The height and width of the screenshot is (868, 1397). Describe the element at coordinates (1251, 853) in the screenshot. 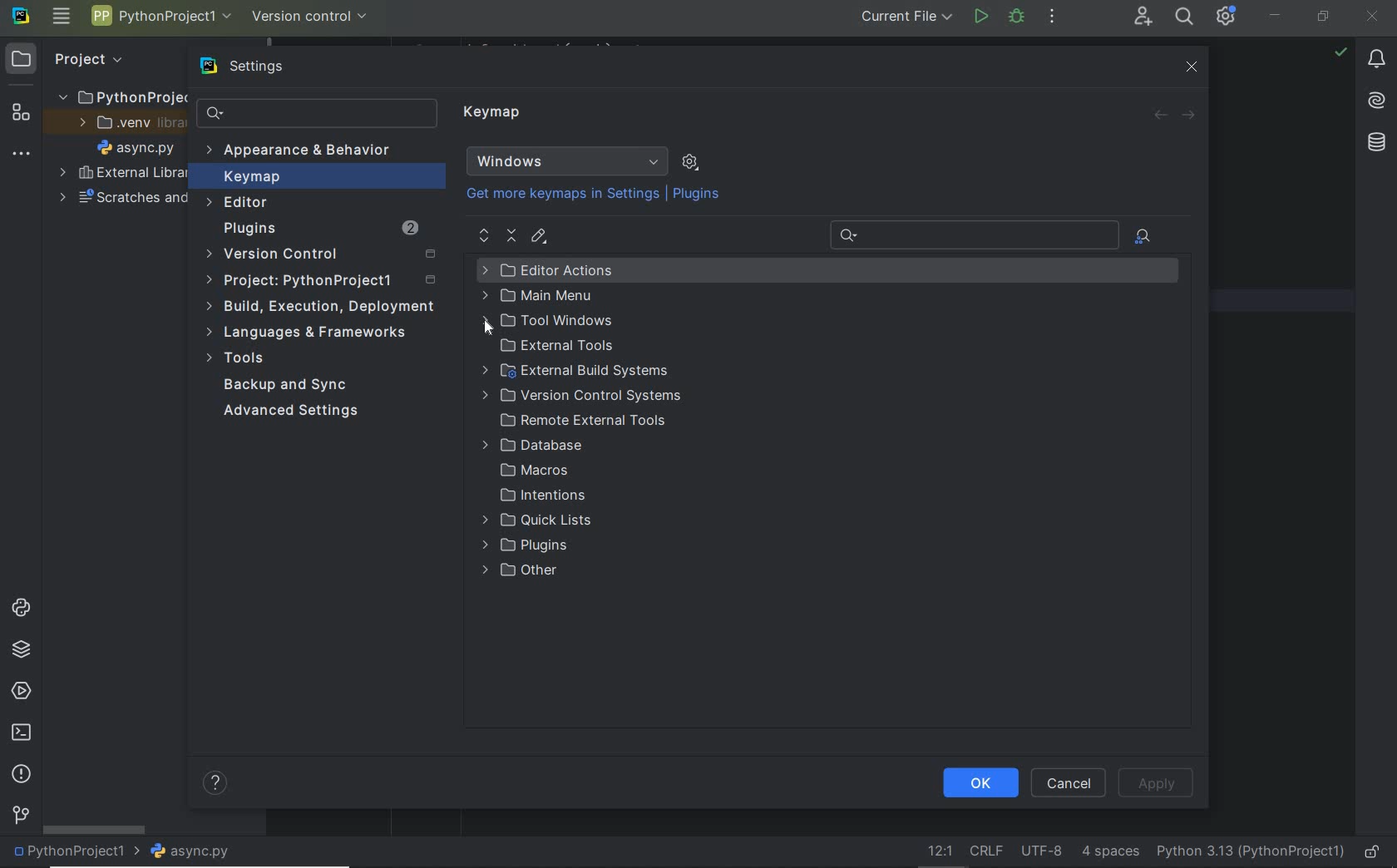

I see `current interpreter` at that location.